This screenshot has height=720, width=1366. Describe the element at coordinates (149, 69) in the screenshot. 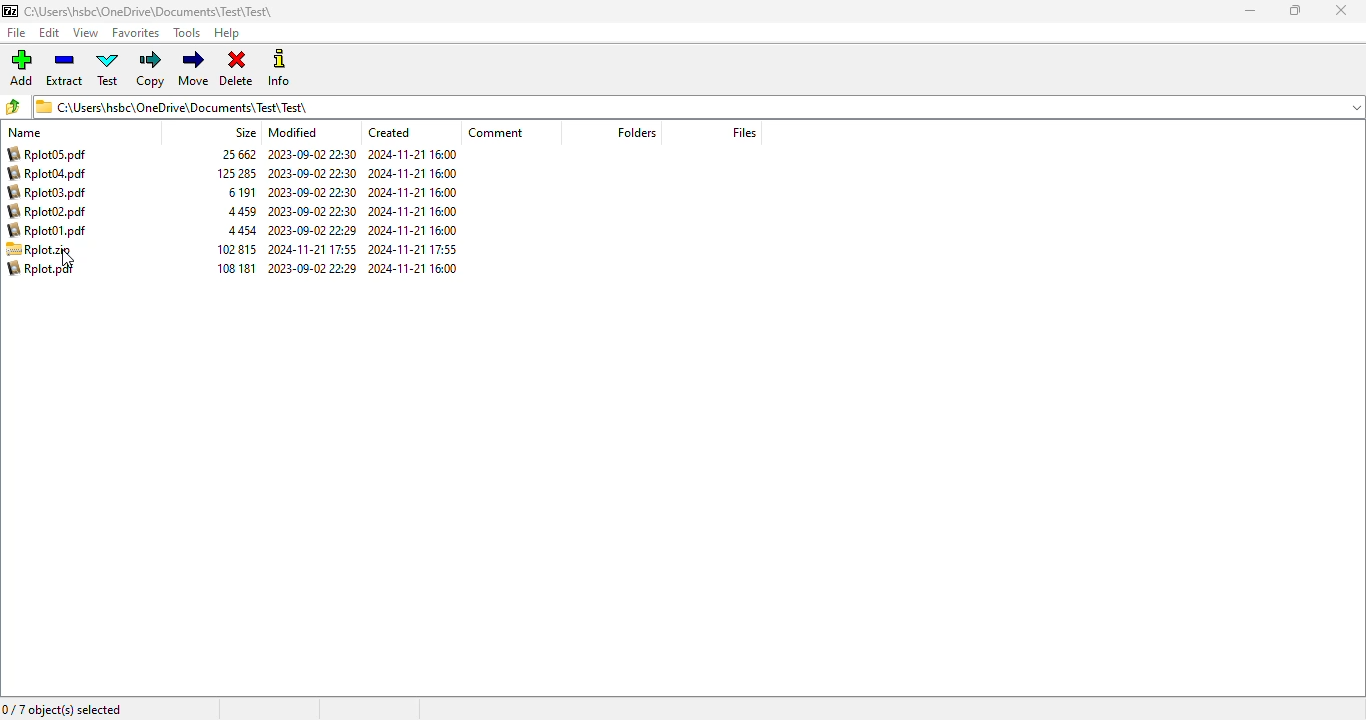

I see `copy` at that location.